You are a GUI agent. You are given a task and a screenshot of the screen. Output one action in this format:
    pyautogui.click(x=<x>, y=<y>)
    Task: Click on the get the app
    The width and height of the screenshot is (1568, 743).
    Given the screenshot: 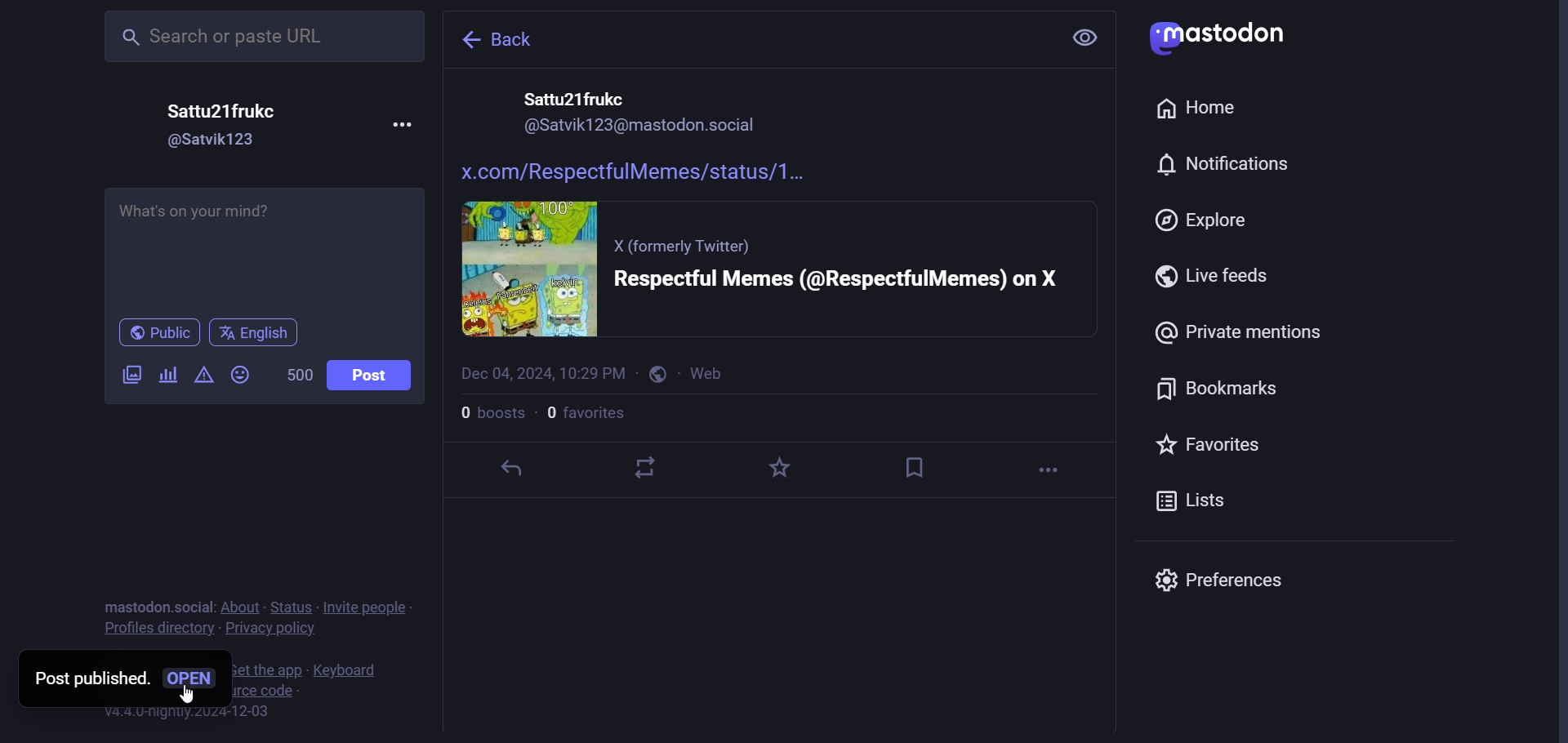 What is the action you would take?
    pyautogui.click(x=269, y=669)
    